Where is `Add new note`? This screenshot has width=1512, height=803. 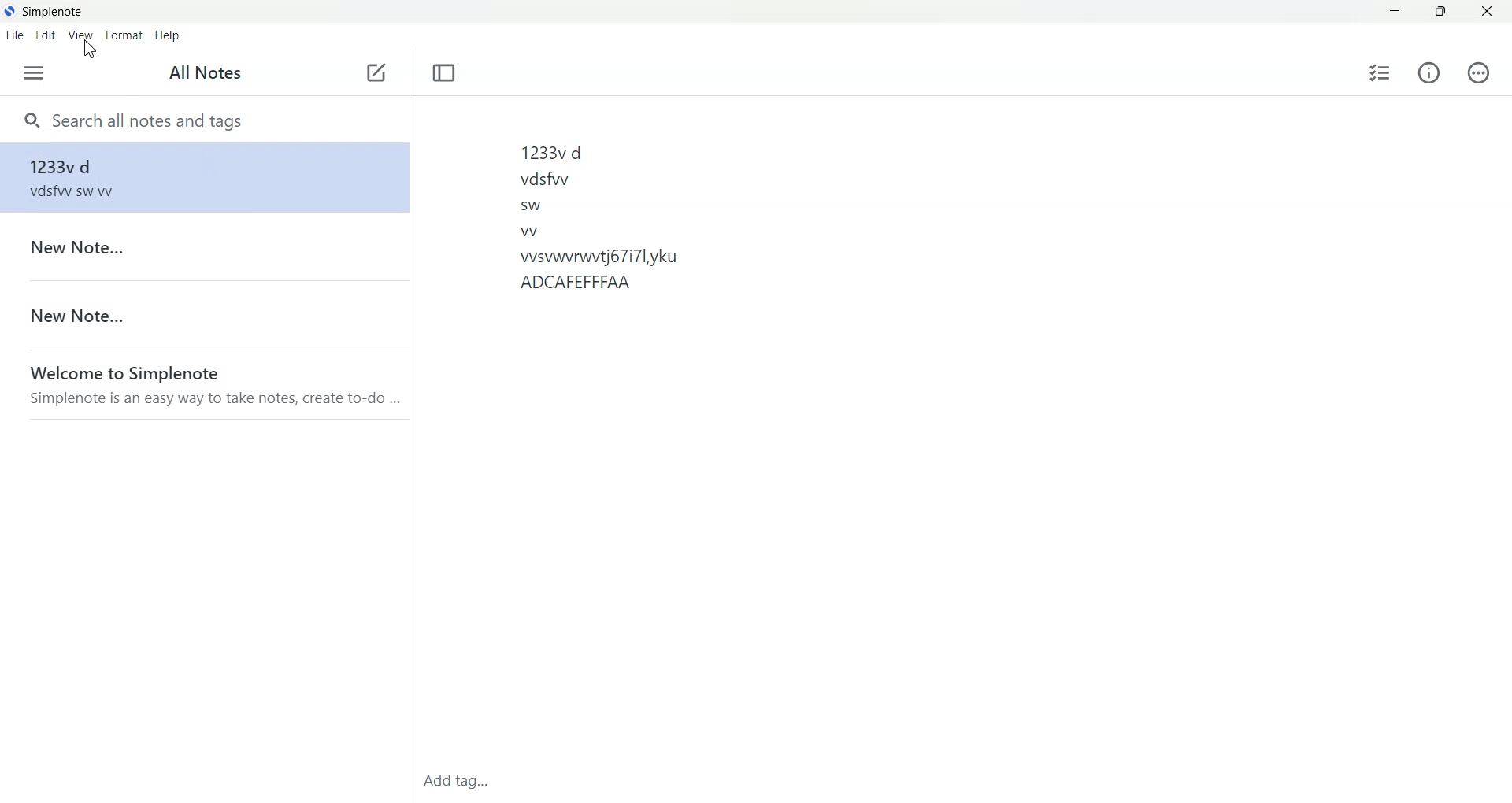
Add new note is located at coordinates (376, 72).